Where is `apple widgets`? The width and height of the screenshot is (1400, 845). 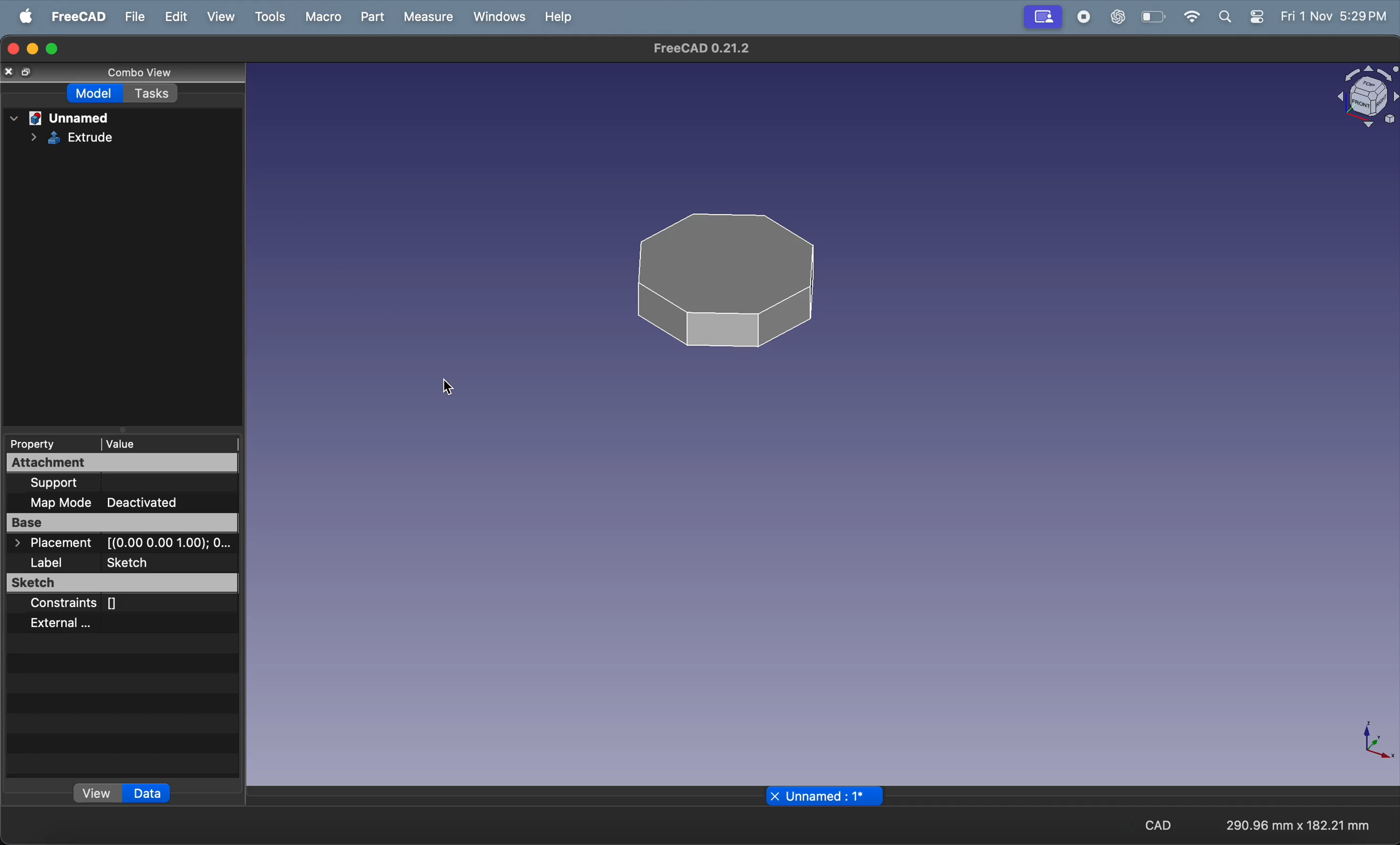 apple widgets is located at coordinates (1237, 16).